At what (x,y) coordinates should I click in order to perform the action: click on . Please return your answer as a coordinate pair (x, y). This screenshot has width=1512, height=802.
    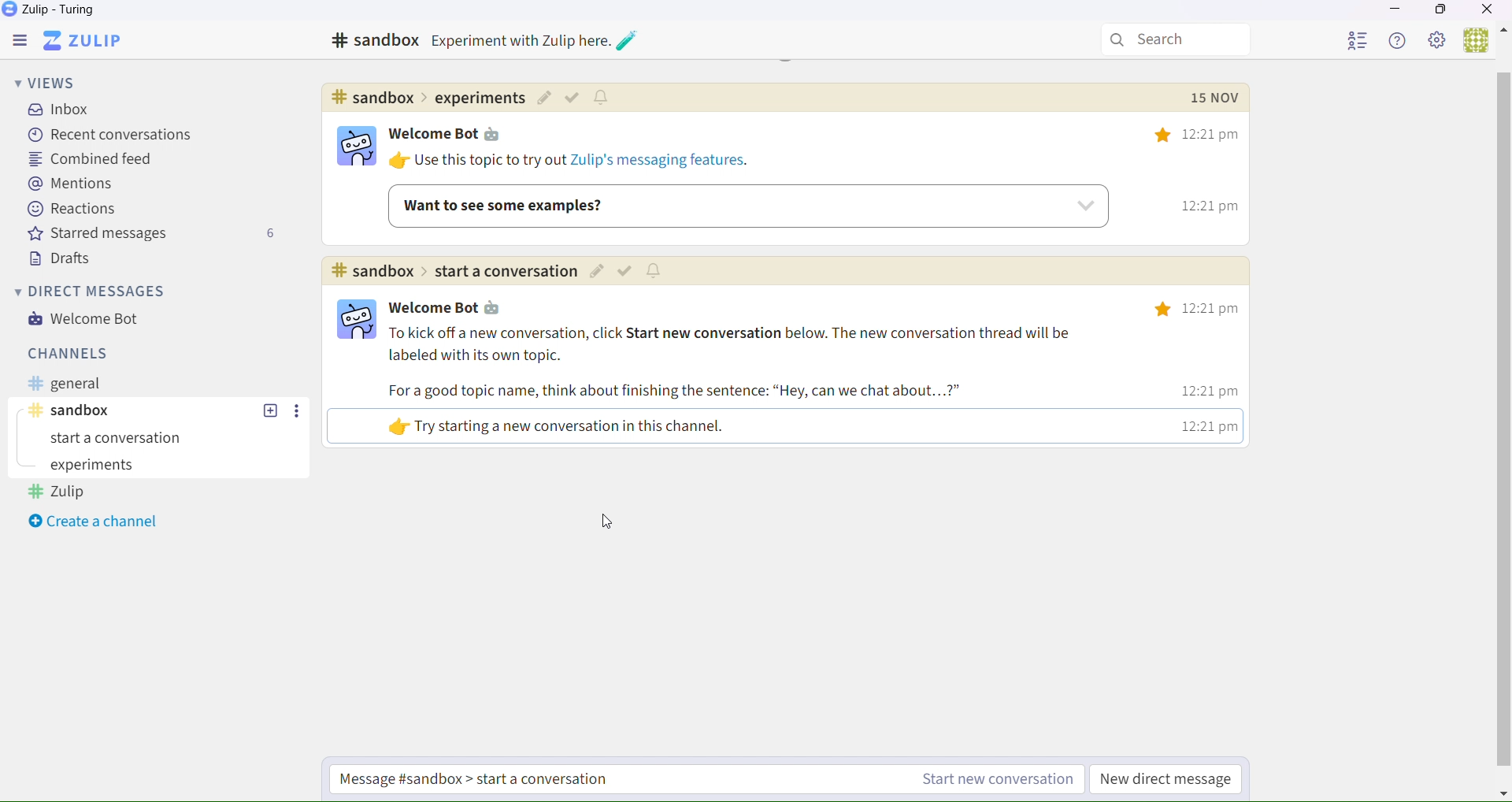
    Looking at the image, I should click on (270, 410).